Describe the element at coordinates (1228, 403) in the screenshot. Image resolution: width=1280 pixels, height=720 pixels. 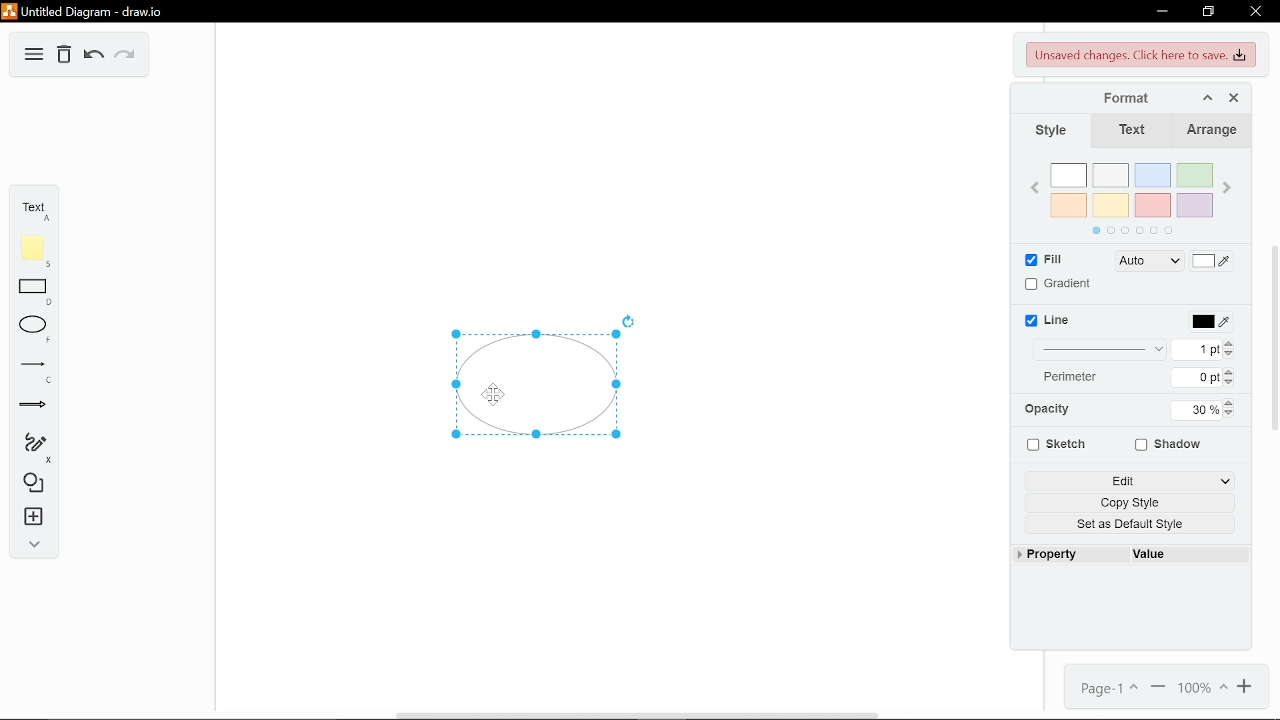
I see `Increase opactiy` at that location.